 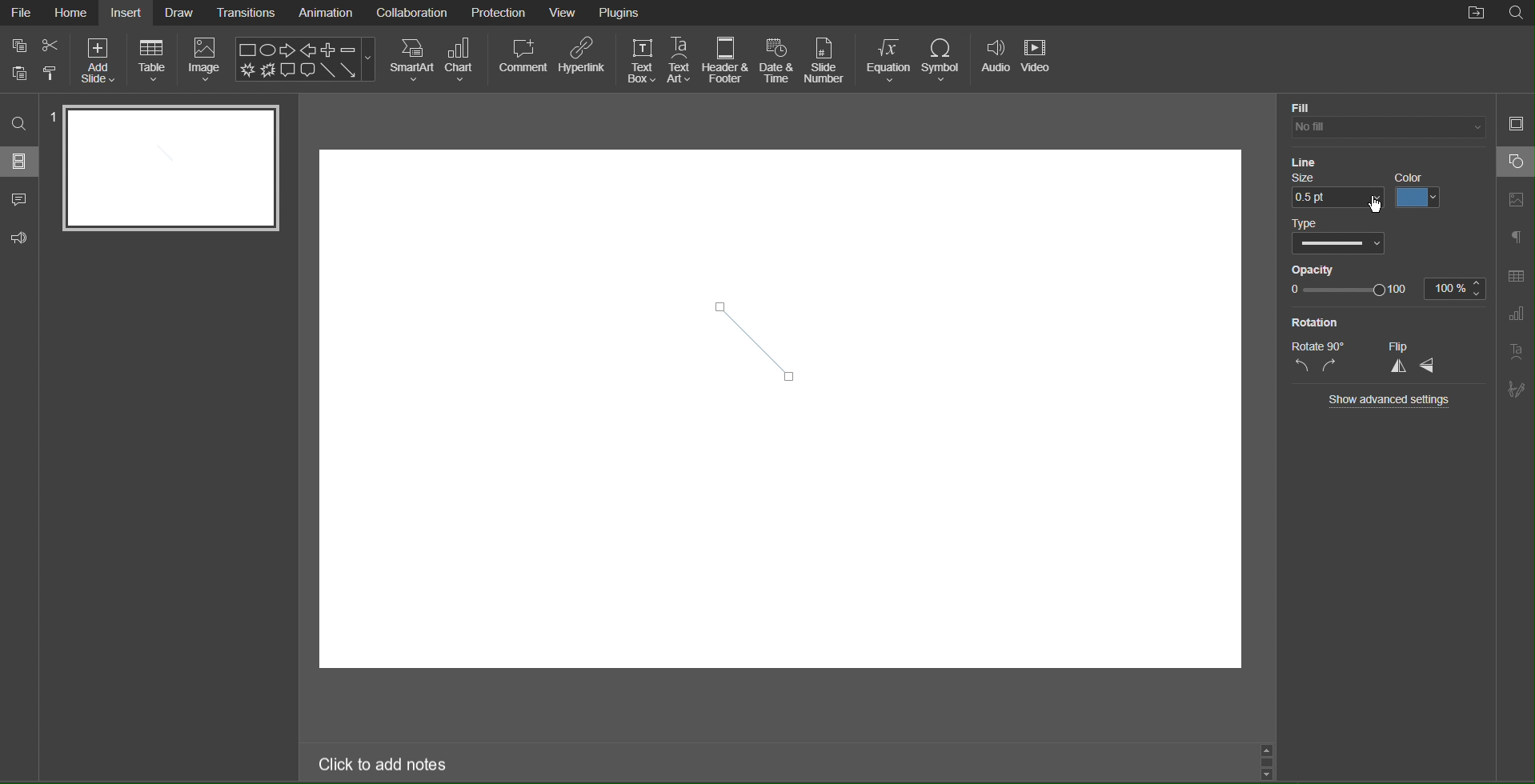 I want to click on Rotate CCW, so click(x=1302, y=366).